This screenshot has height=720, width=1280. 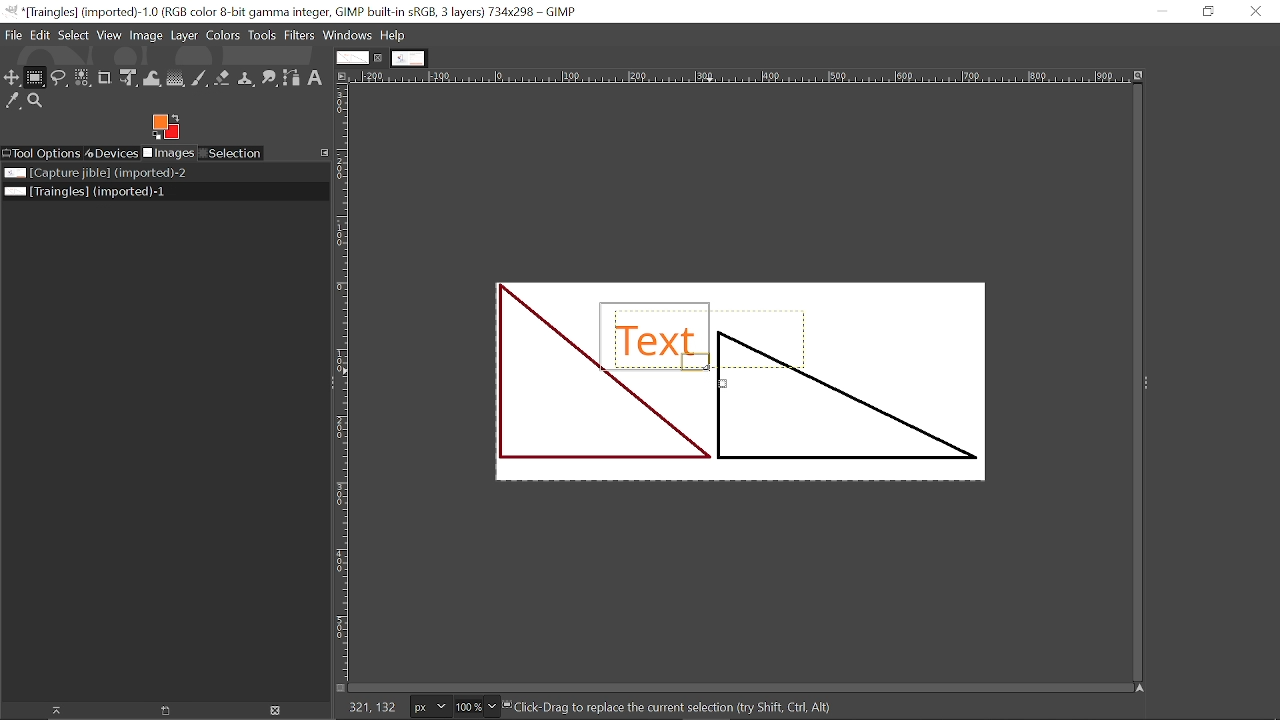 I want to click on Delete Image, so click(x=274, y=710).